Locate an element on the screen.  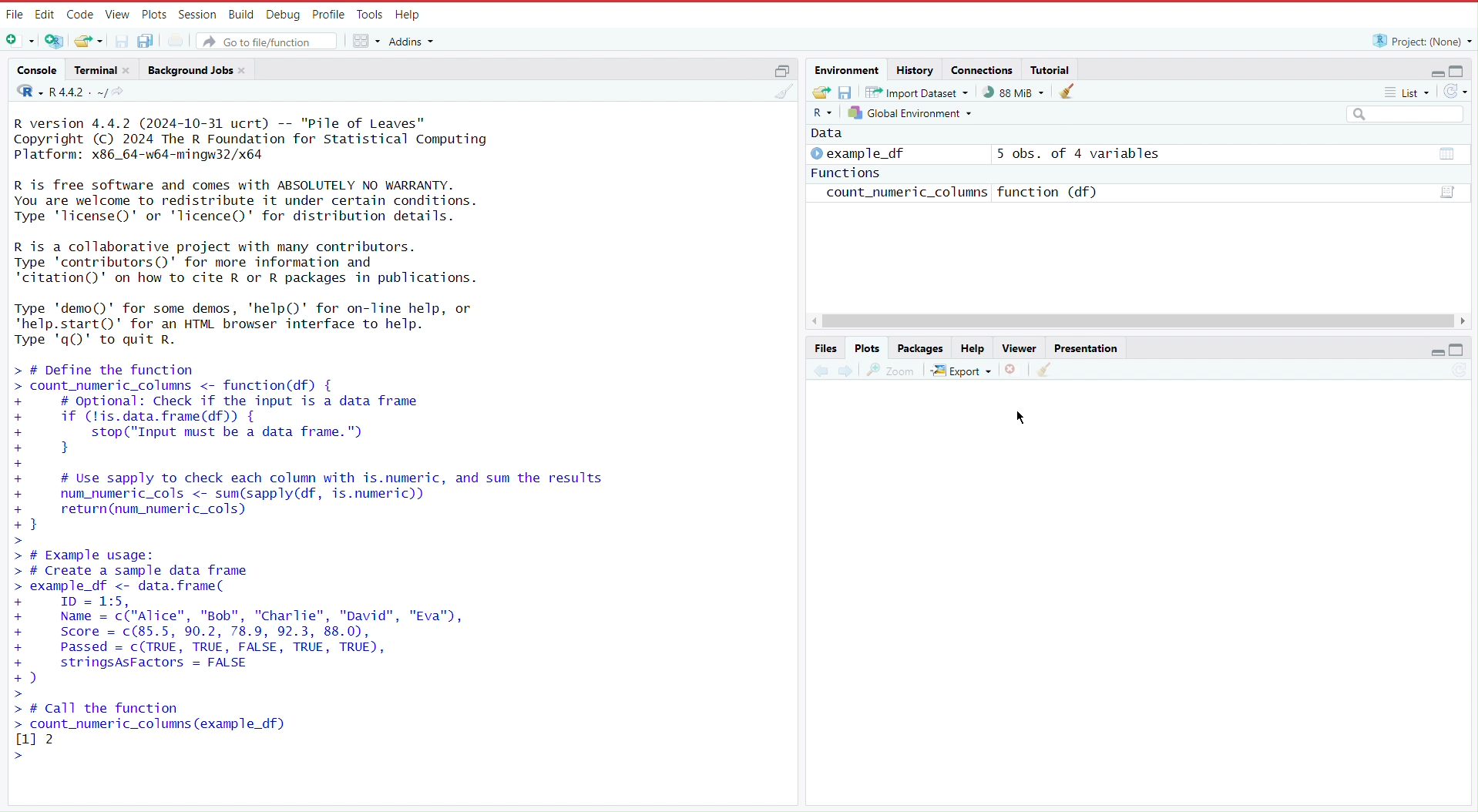
Maximize is located at coordinates (1459, 351).